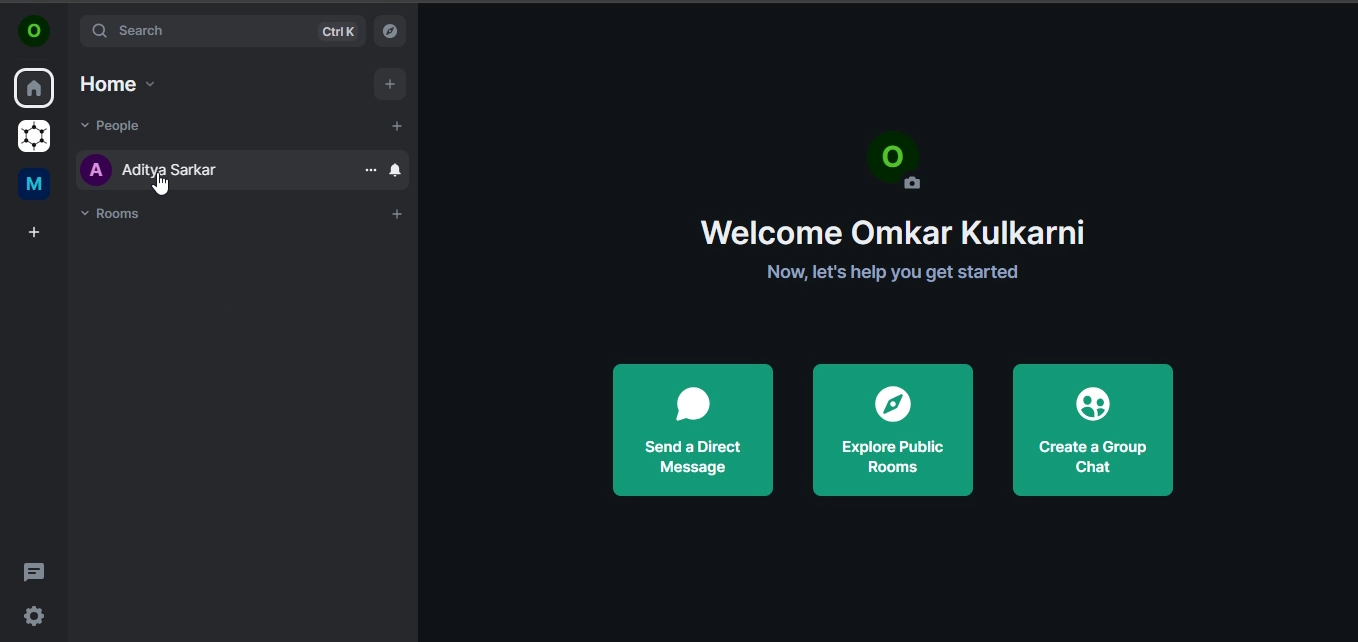 This screenshot has width=1358, height=642. I want to click on Avatar, so click(896, 161).